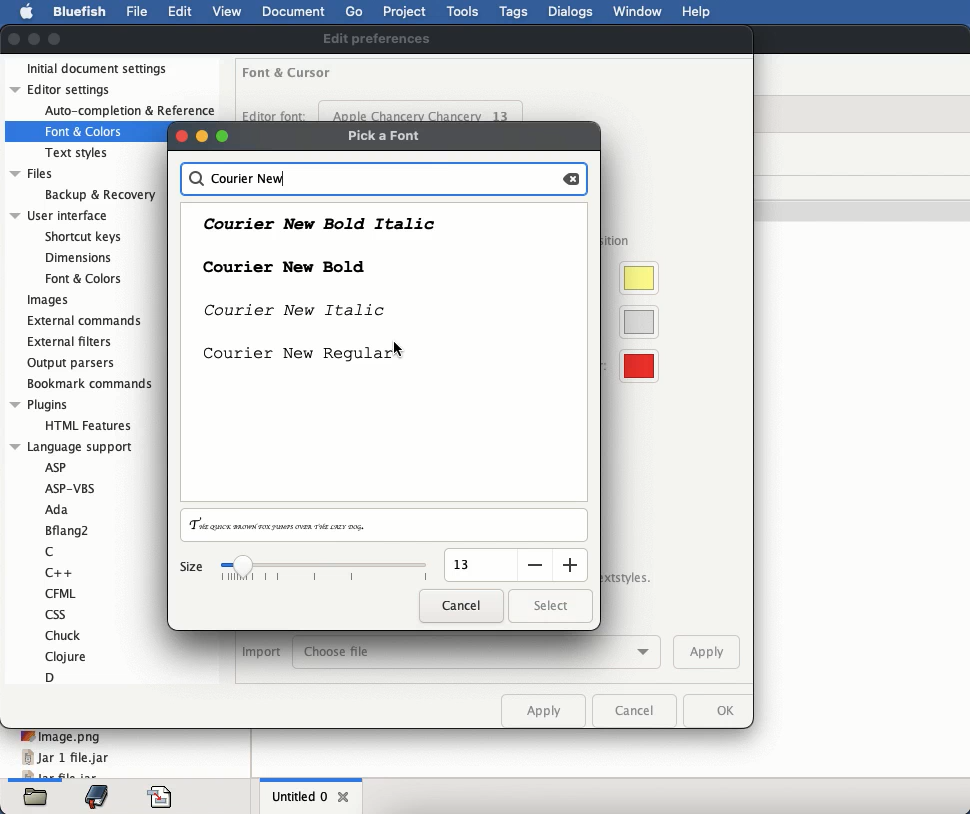  What do you see at coordinates (633, 279) in the screenshot?
I see `cursor highlight color` at bounding box center [633, 279].